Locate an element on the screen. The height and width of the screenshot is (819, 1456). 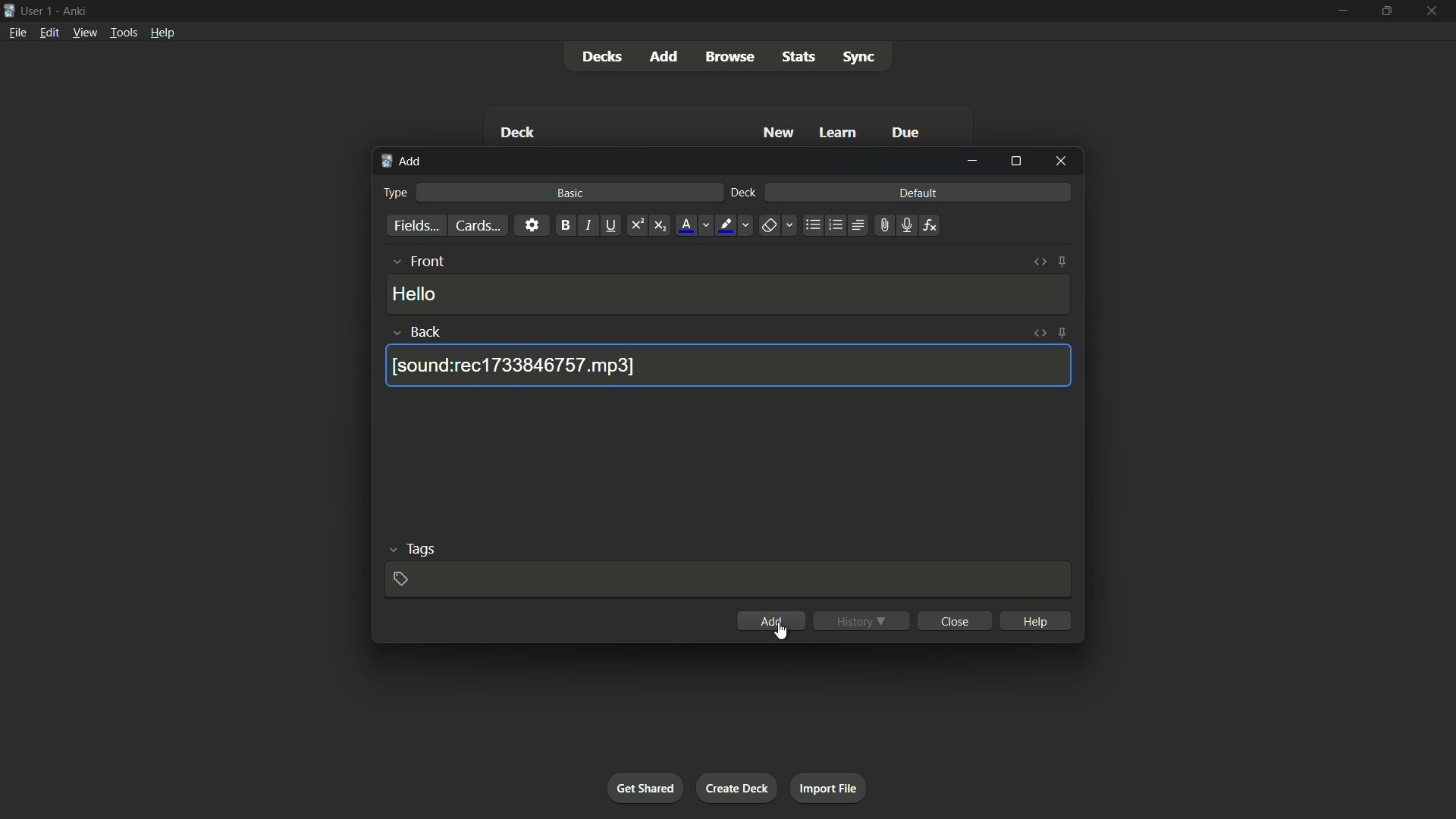
due is located at coordinates (908, 131).